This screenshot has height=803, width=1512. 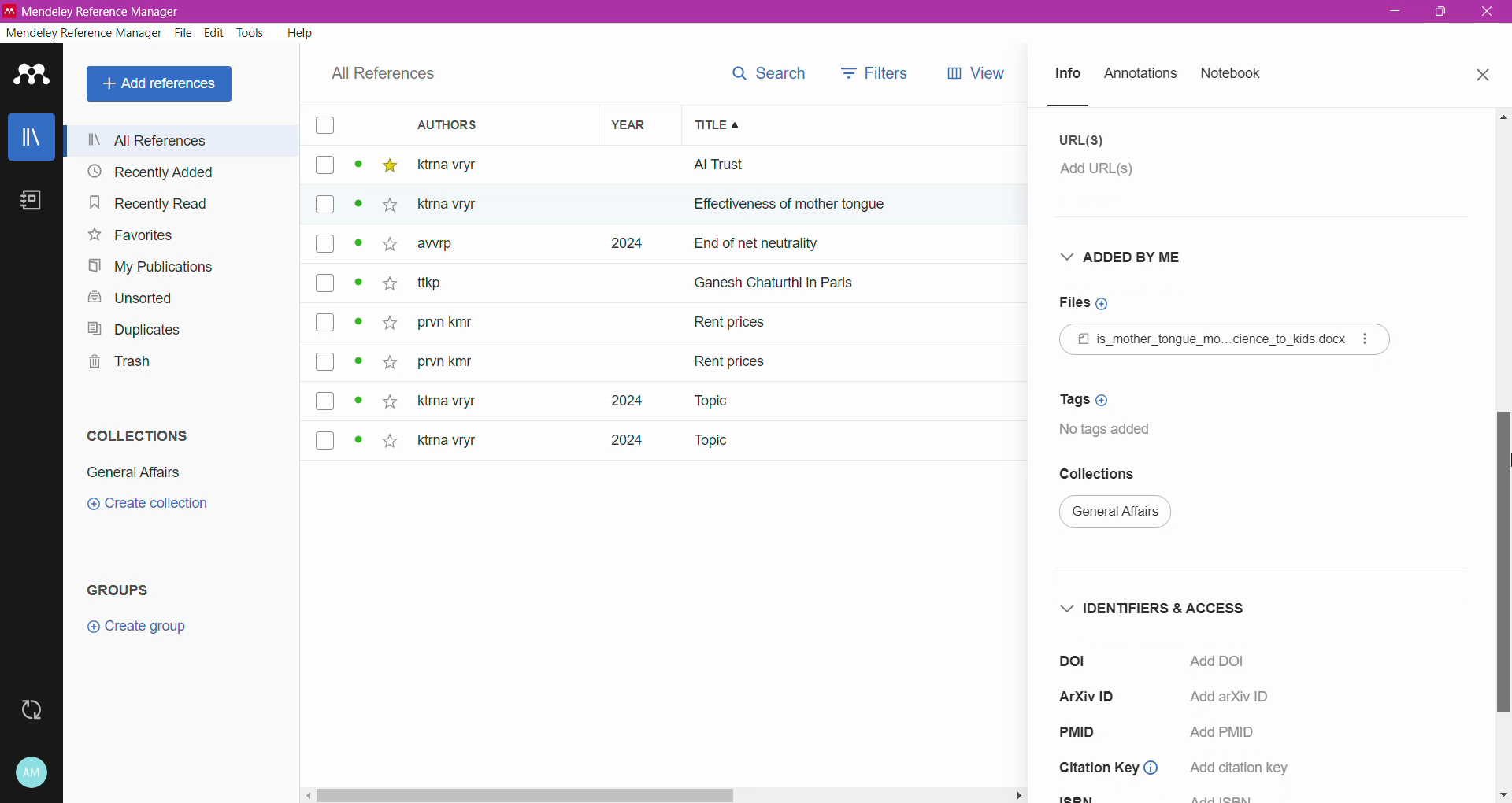 What do you see at coordinates (326, 363) in the screenshot?
I see `box` at bounding box center [326, 363].